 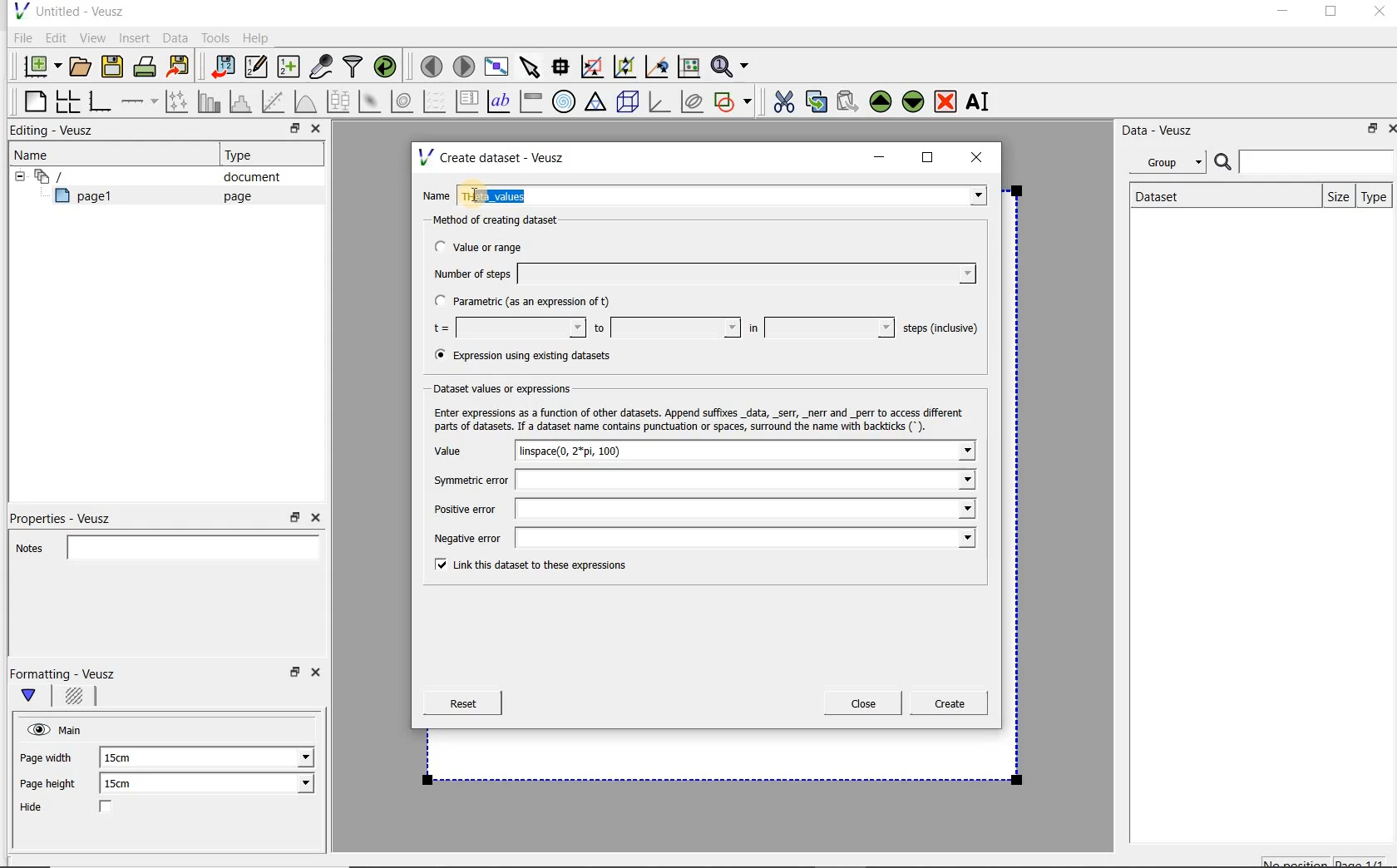 I want to click on Close, so click(x=1389, y=127).